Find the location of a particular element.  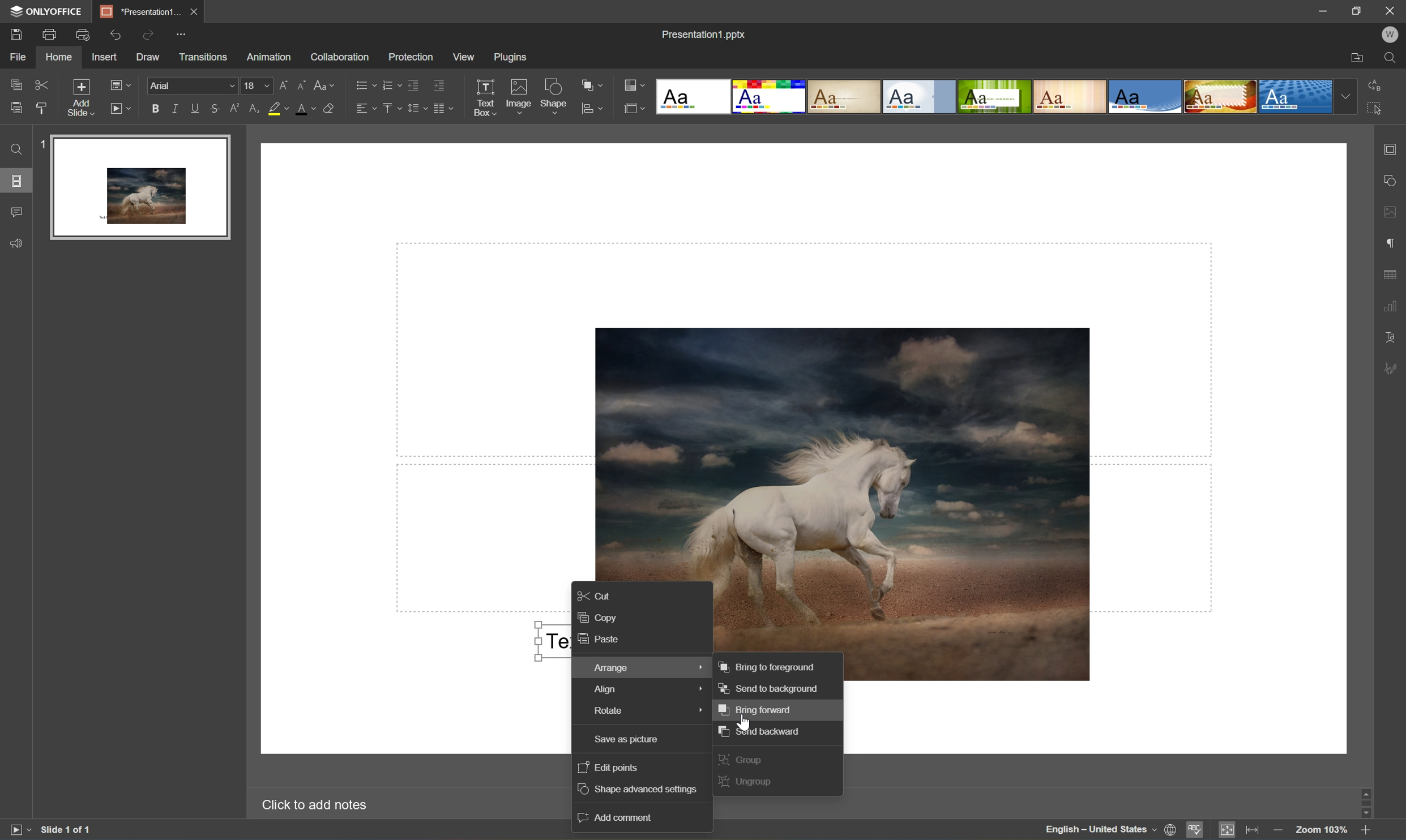

Ungroup is located at coordinates (747, 783).